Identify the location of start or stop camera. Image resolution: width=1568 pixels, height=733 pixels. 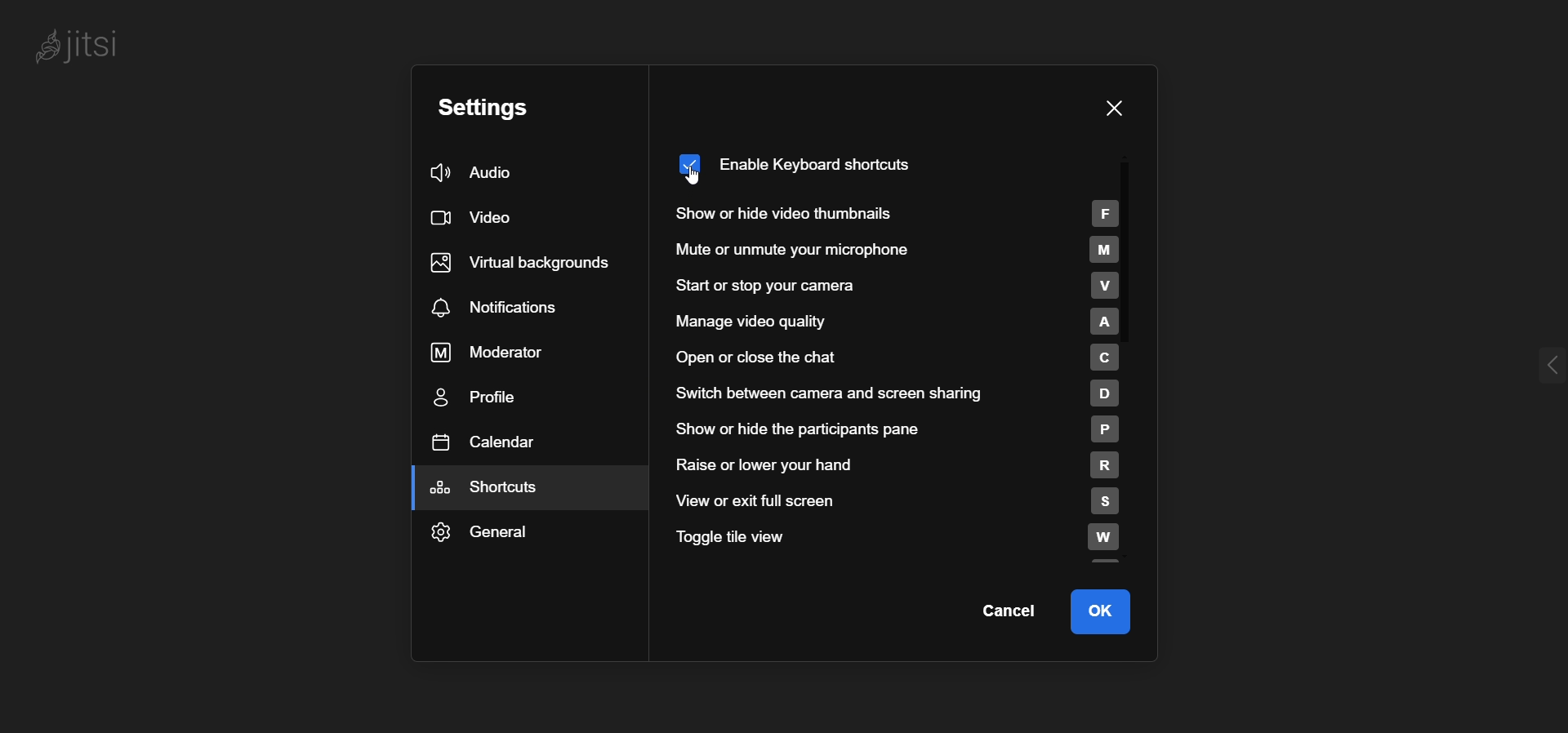
(915, 286).